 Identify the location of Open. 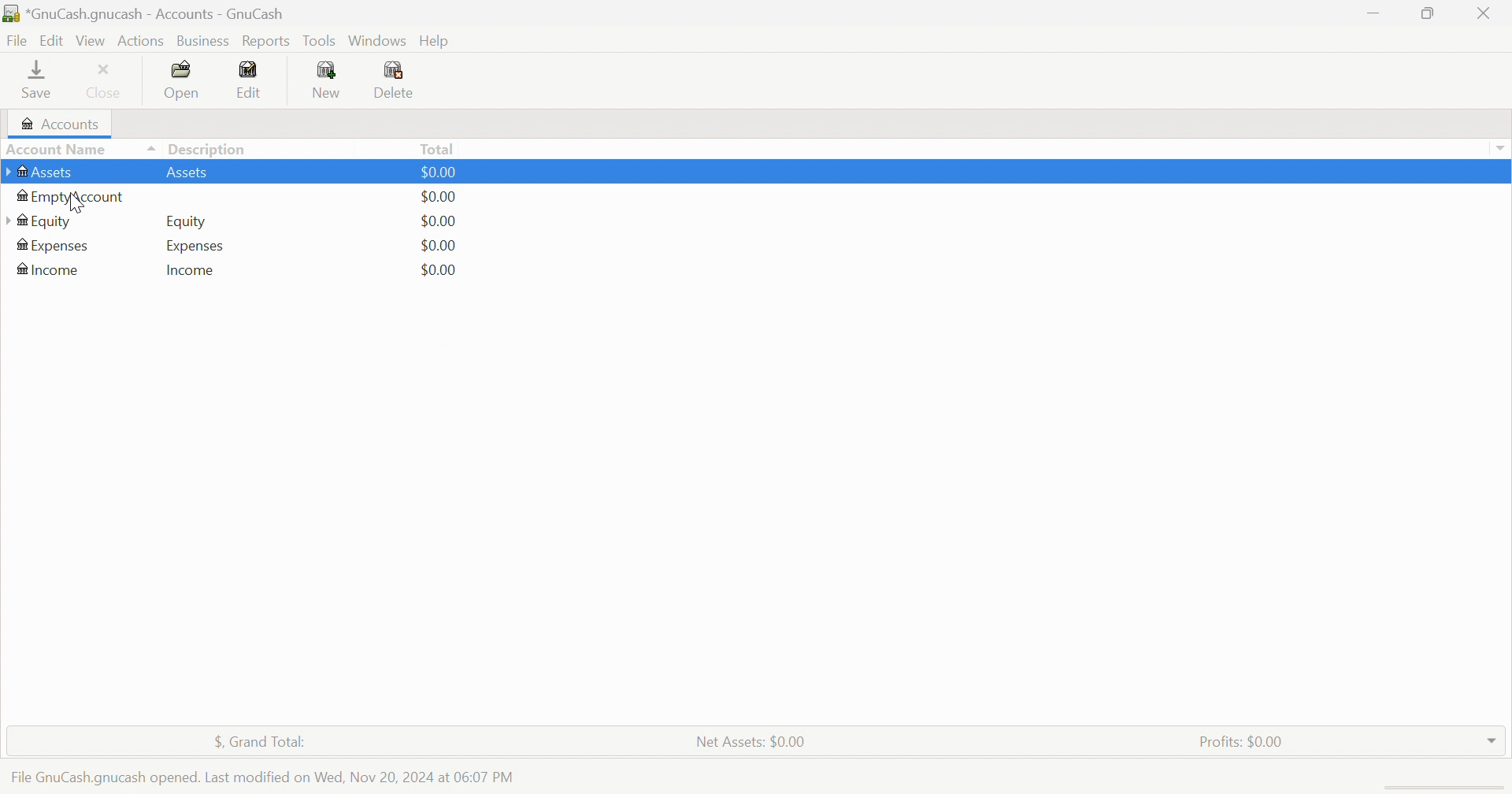
(183, 80).